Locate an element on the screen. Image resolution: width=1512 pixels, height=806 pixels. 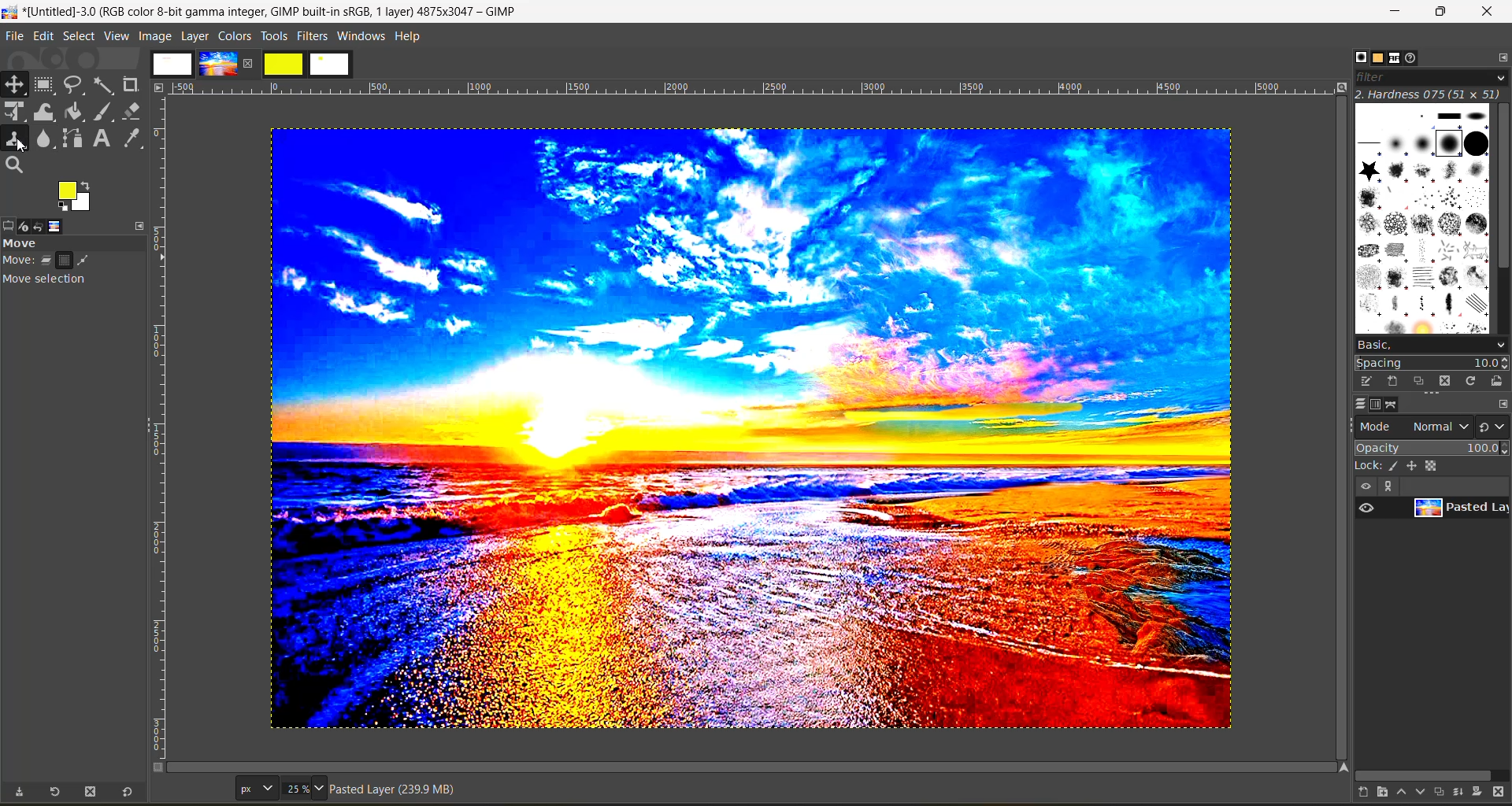
position is located at coordinates (1414, 465).